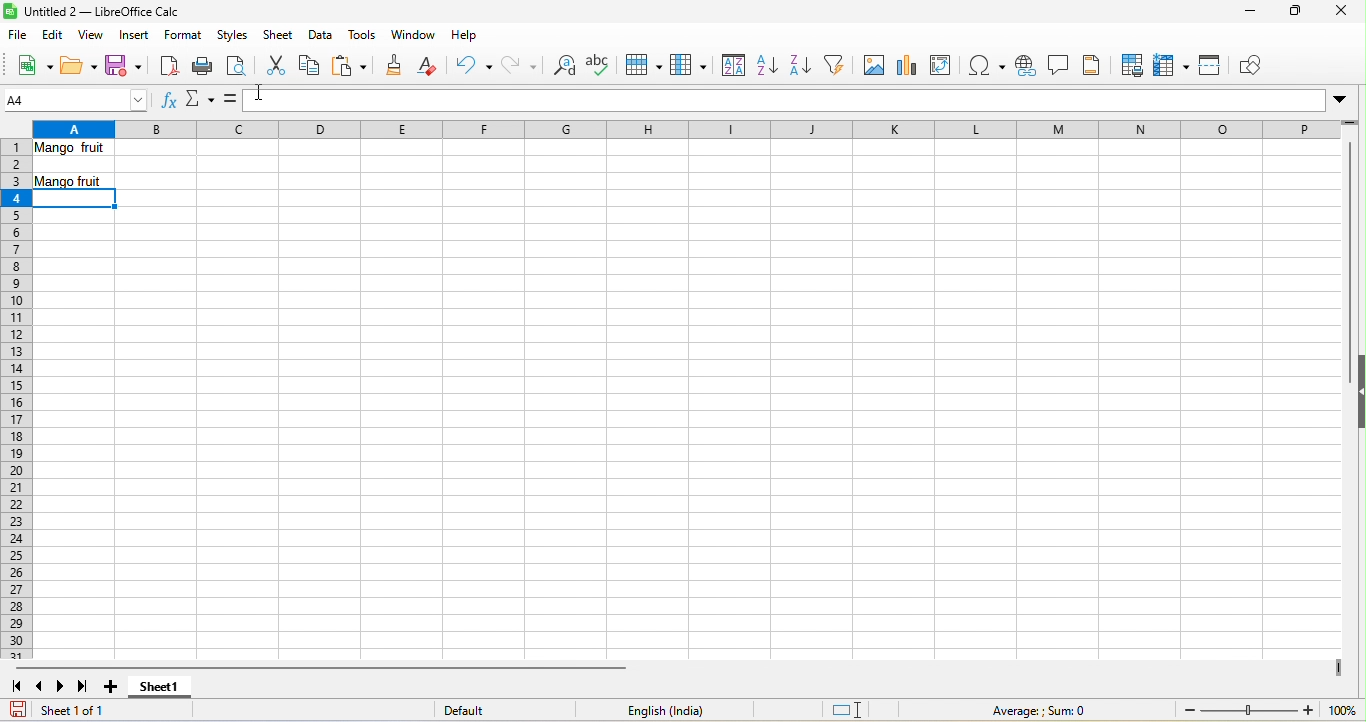  Describe the element at coordinates (946, 65) in the screenshot. I see `edit pivot table` at that location.